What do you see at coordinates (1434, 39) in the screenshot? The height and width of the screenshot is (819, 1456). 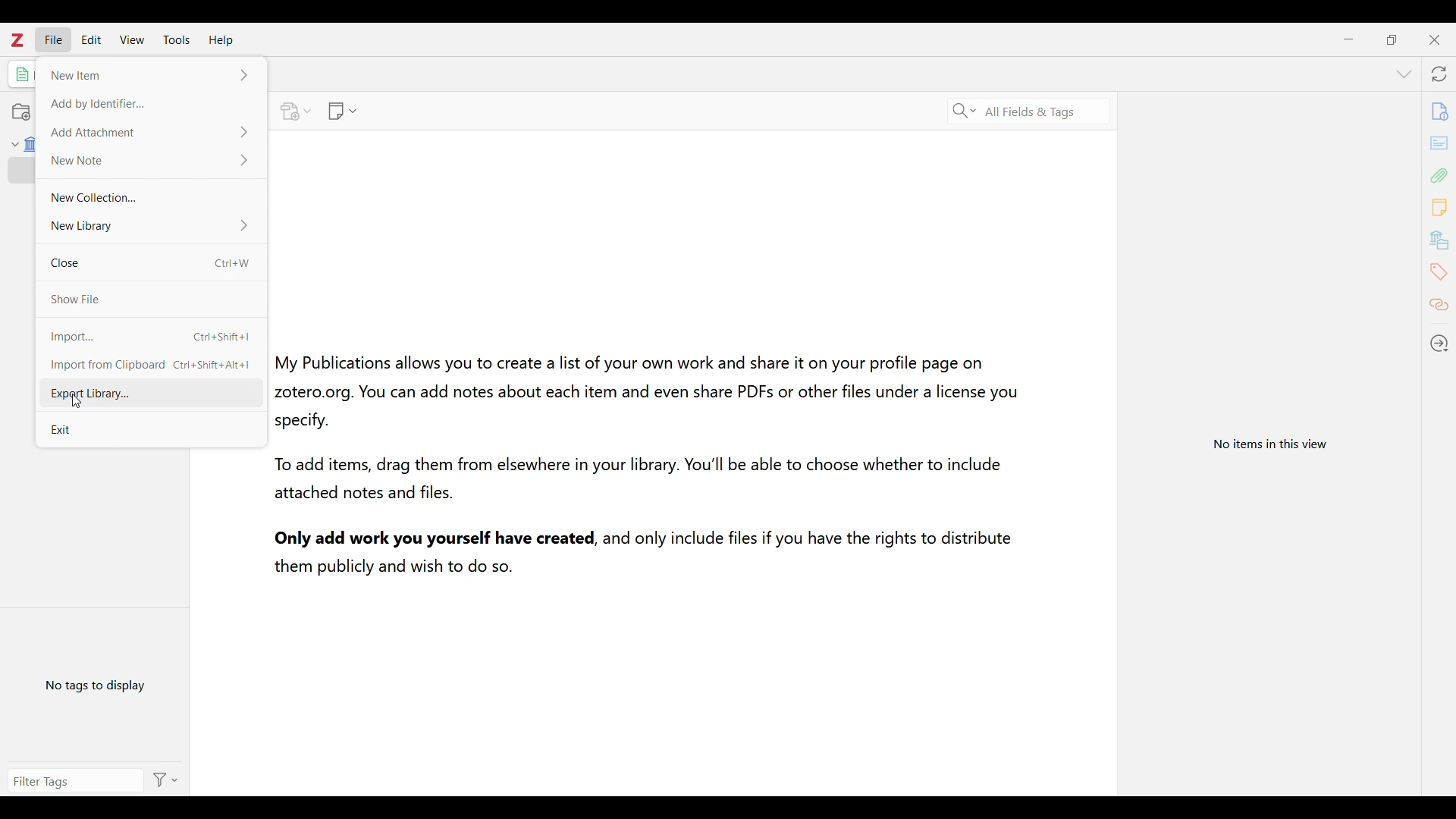 I see `Close interface` at bounding box center [1434, 39].